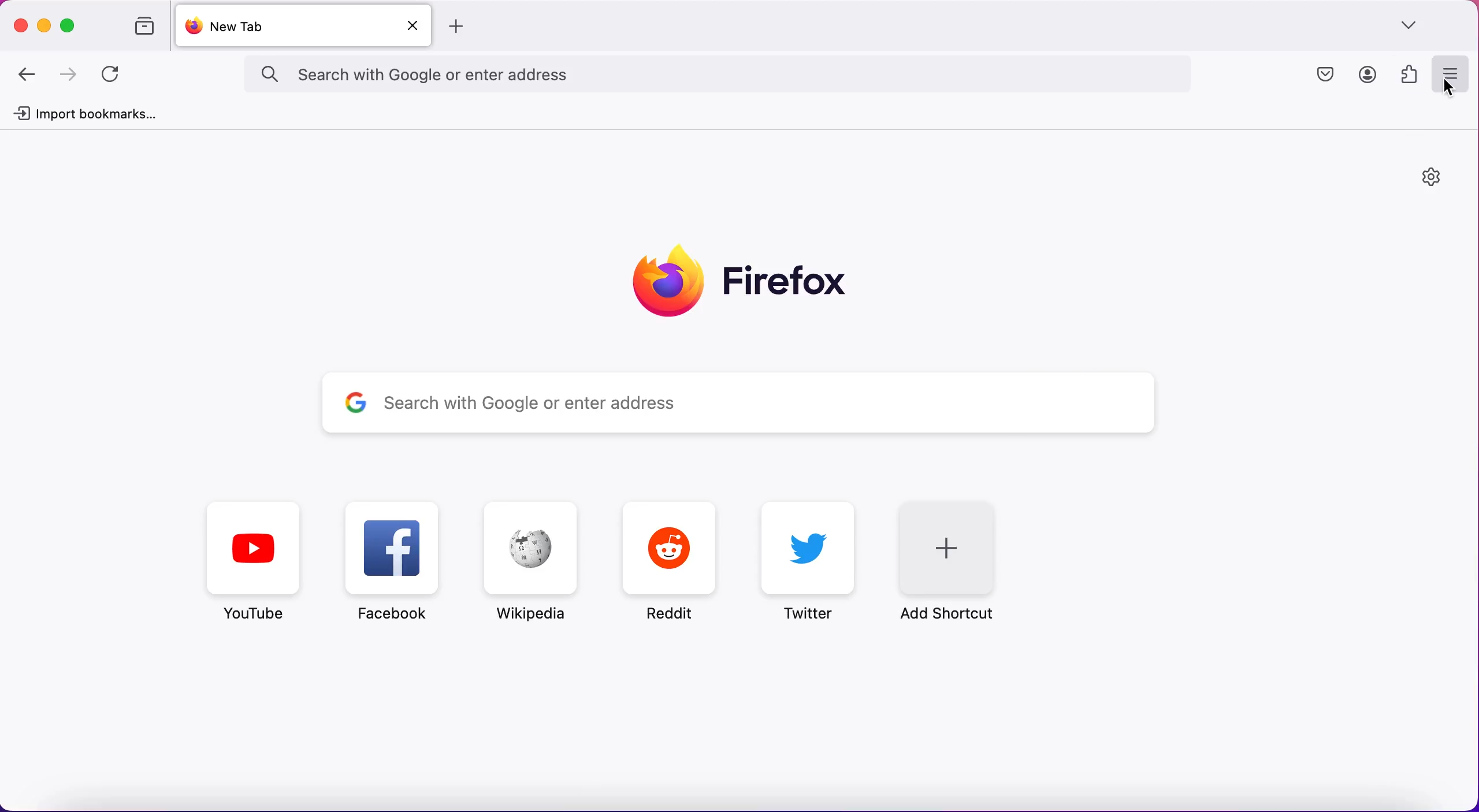 The image size is (1479, 812). I want to click on save to pocket, so click(1328, 75).